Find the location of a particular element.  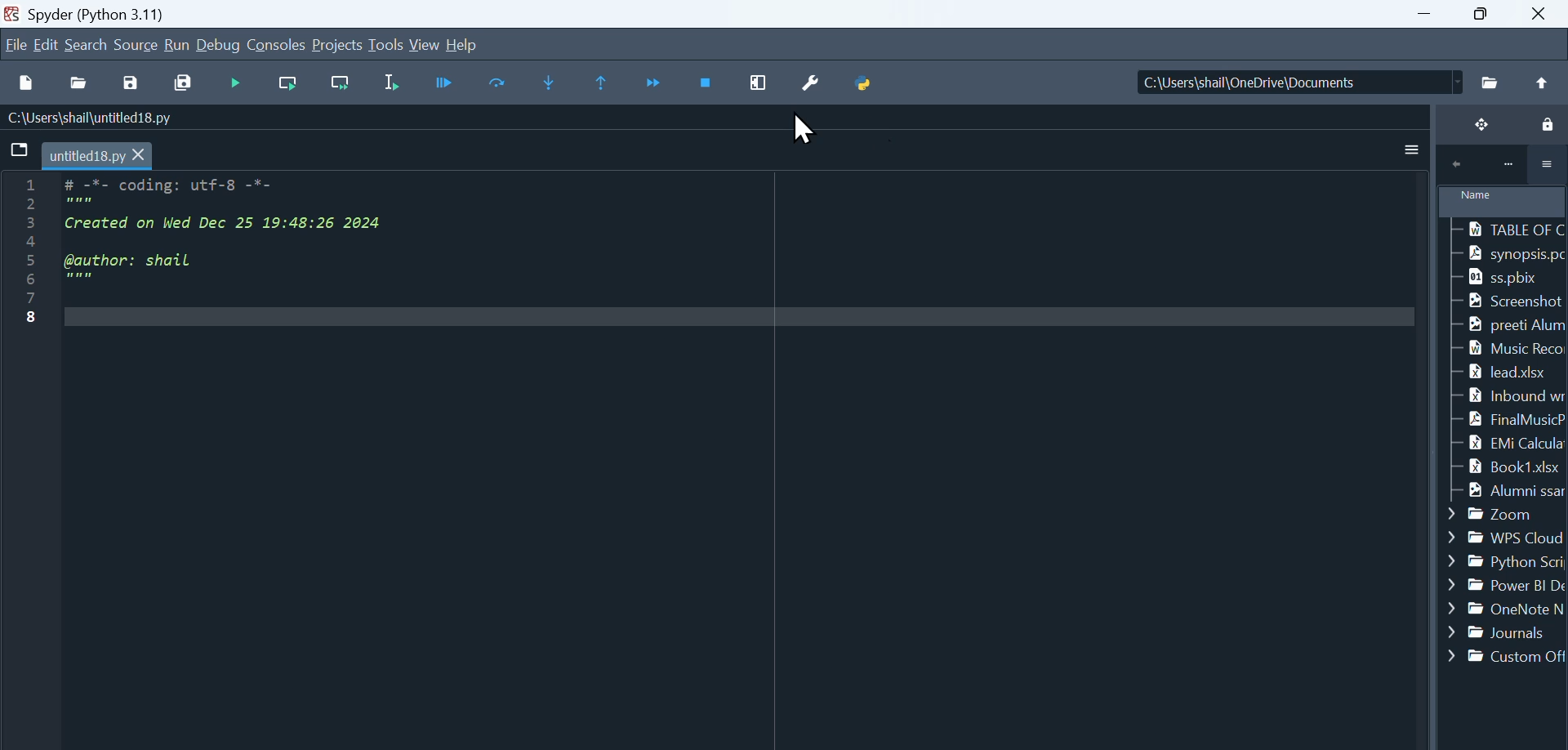

Run selected cell is located at coordinates (396, 83).